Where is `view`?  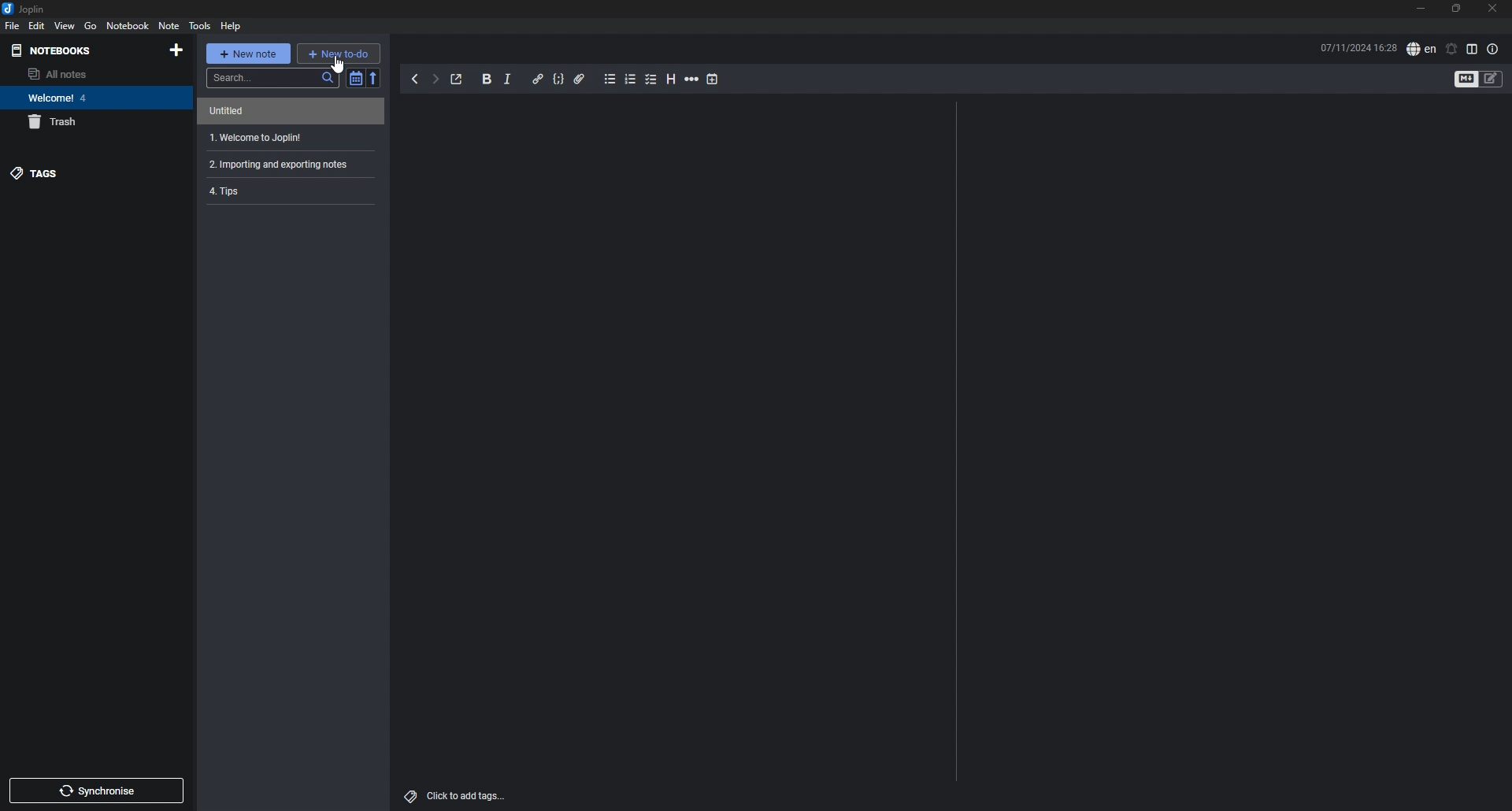 view is located at coordinates (65, 26).